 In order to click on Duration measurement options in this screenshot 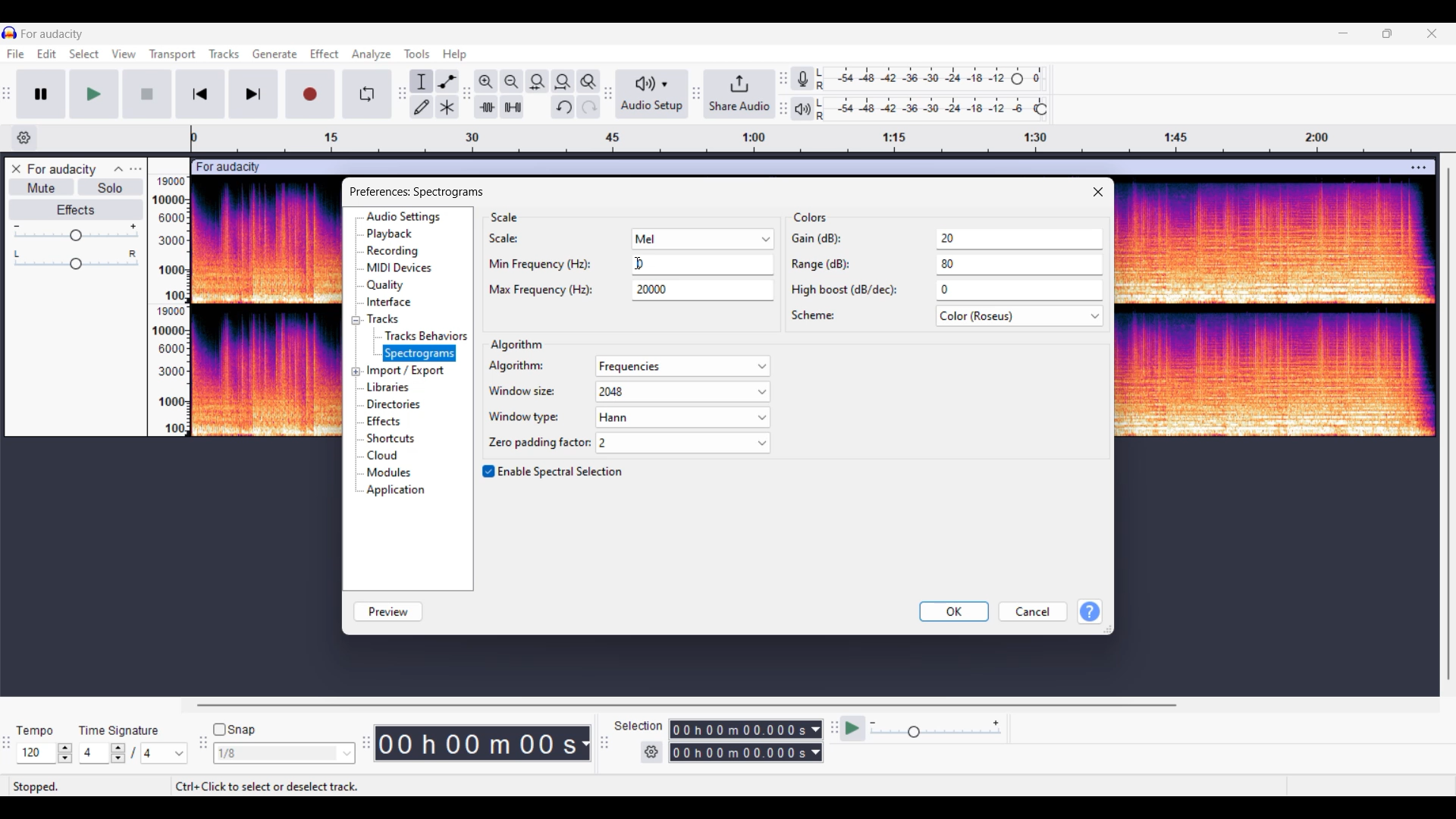, I will do `click(585, 743)`.